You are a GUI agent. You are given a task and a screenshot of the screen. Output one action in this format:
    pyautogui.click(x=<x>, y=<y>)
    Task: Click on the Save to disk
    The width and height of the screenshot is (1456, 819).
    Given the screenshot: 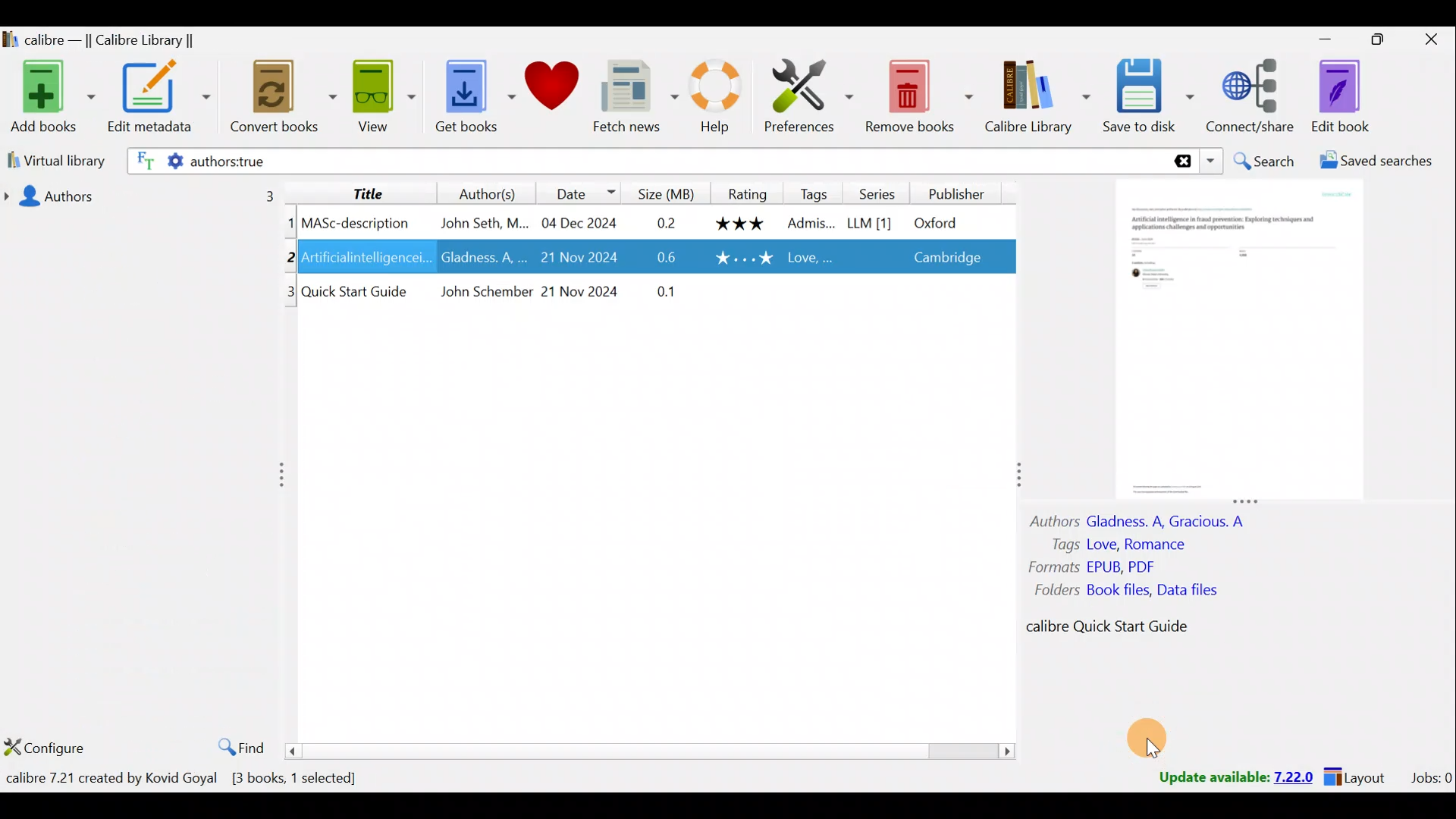 What is the action you would take?
    pyautogui.click(x=1146, y=96)
    